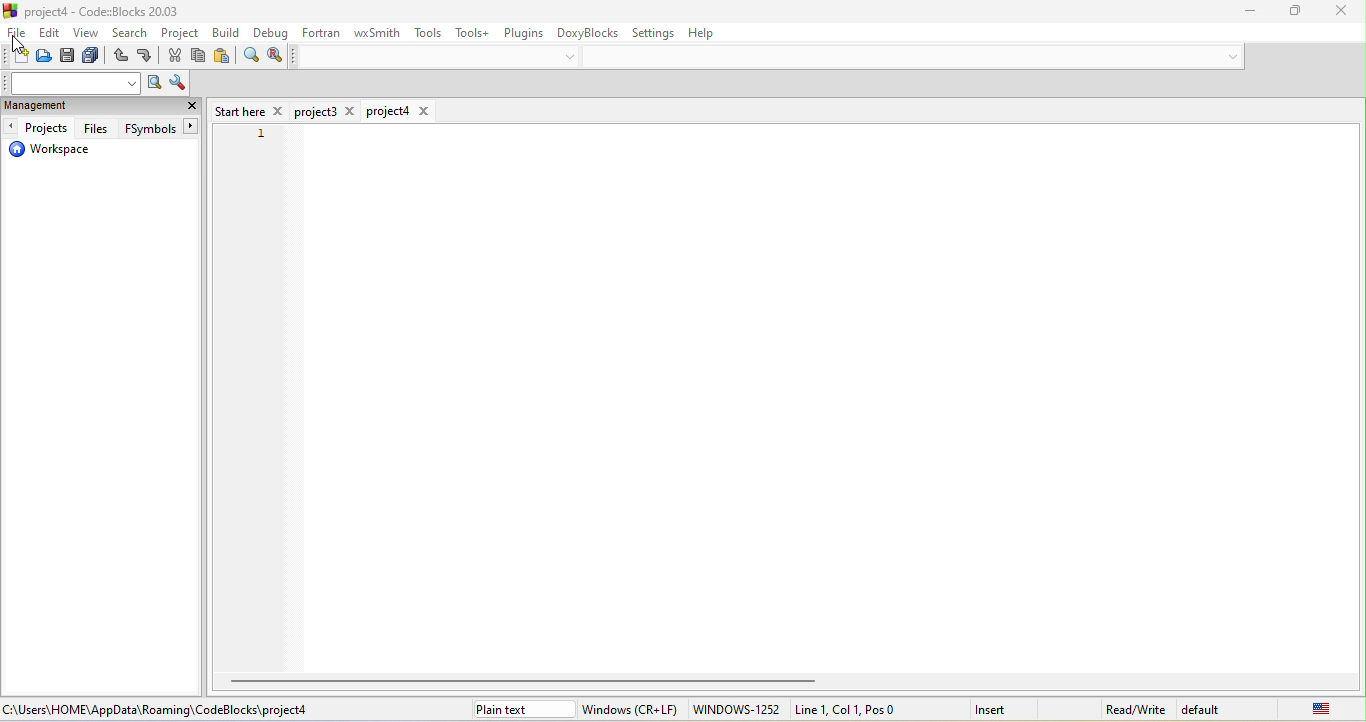 The height and width of the screenshot is (722, 1366). Describe the element at coordinates (529, 680) in the screenshot. I see `horizontal scroll bar` at that location.